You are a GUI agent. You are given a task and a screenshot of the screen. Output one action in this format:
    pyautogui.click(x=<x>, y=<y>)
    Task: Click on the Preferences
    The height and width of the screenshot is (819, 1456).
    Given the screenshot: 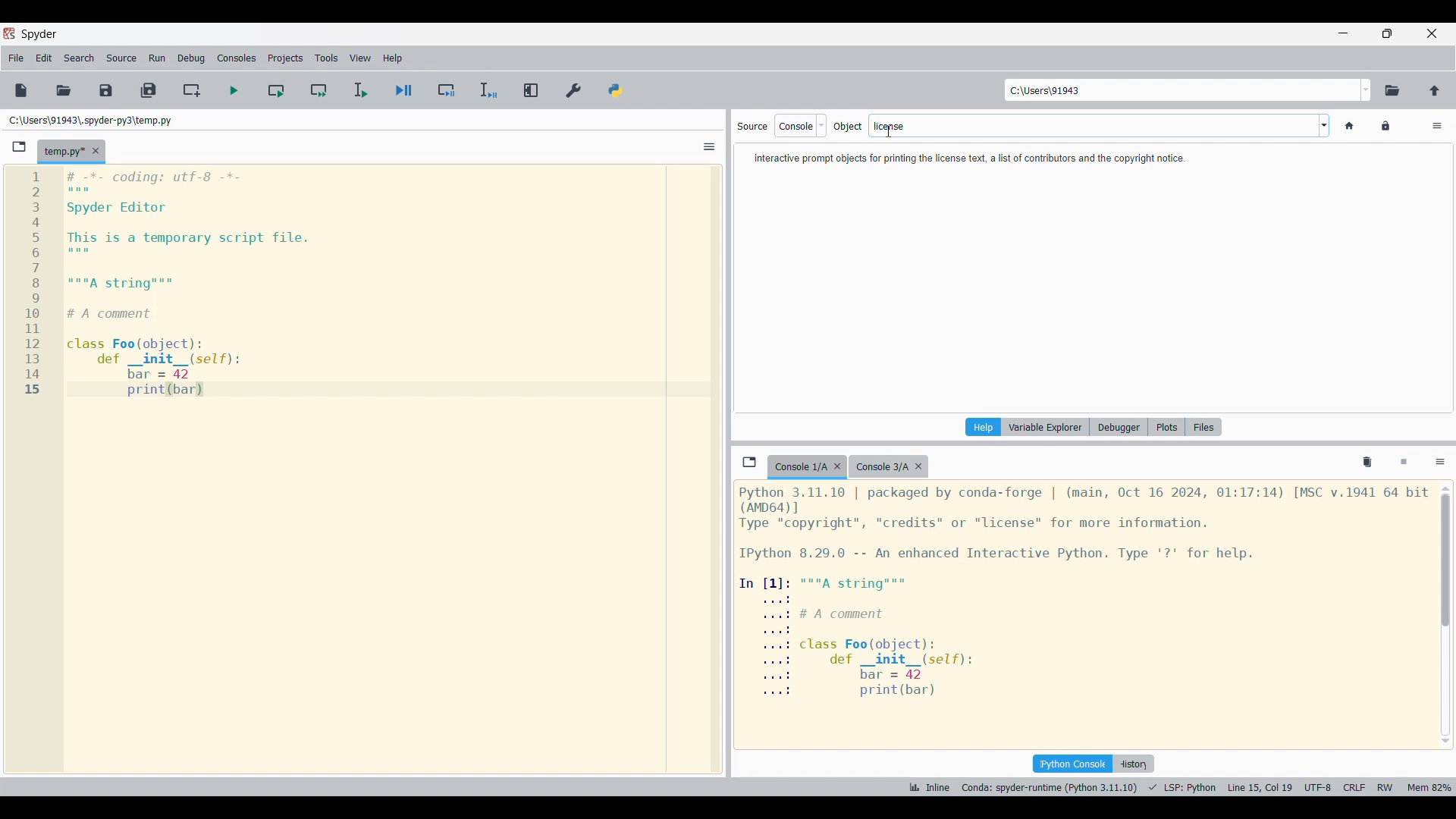 What is the action you would take?
    pyautogui.click(x=573, y=90)
    